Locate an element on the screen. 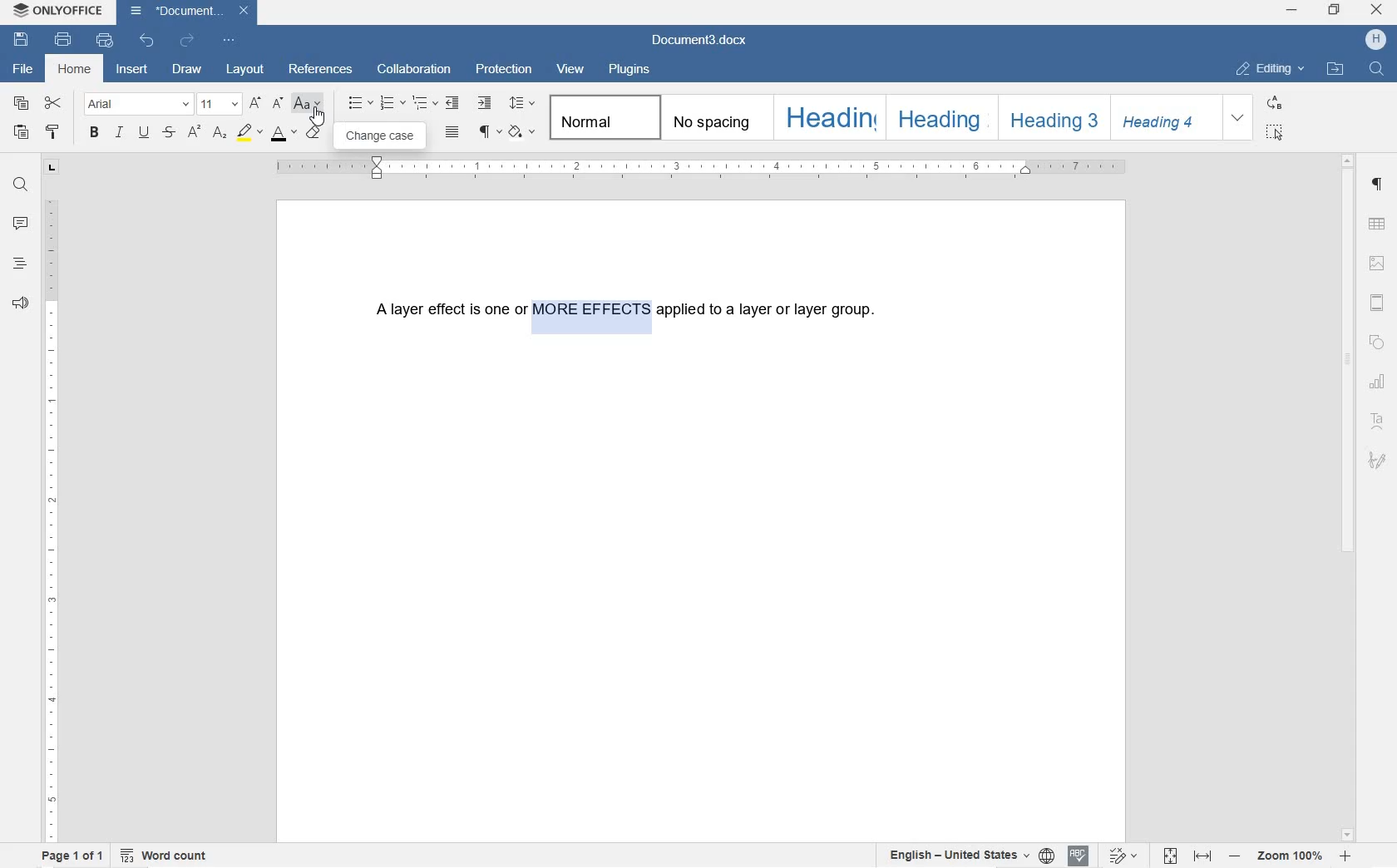 The width and height of the screenshot is (1397, 868). FONT COLOR is located at coordinates (282, 134).